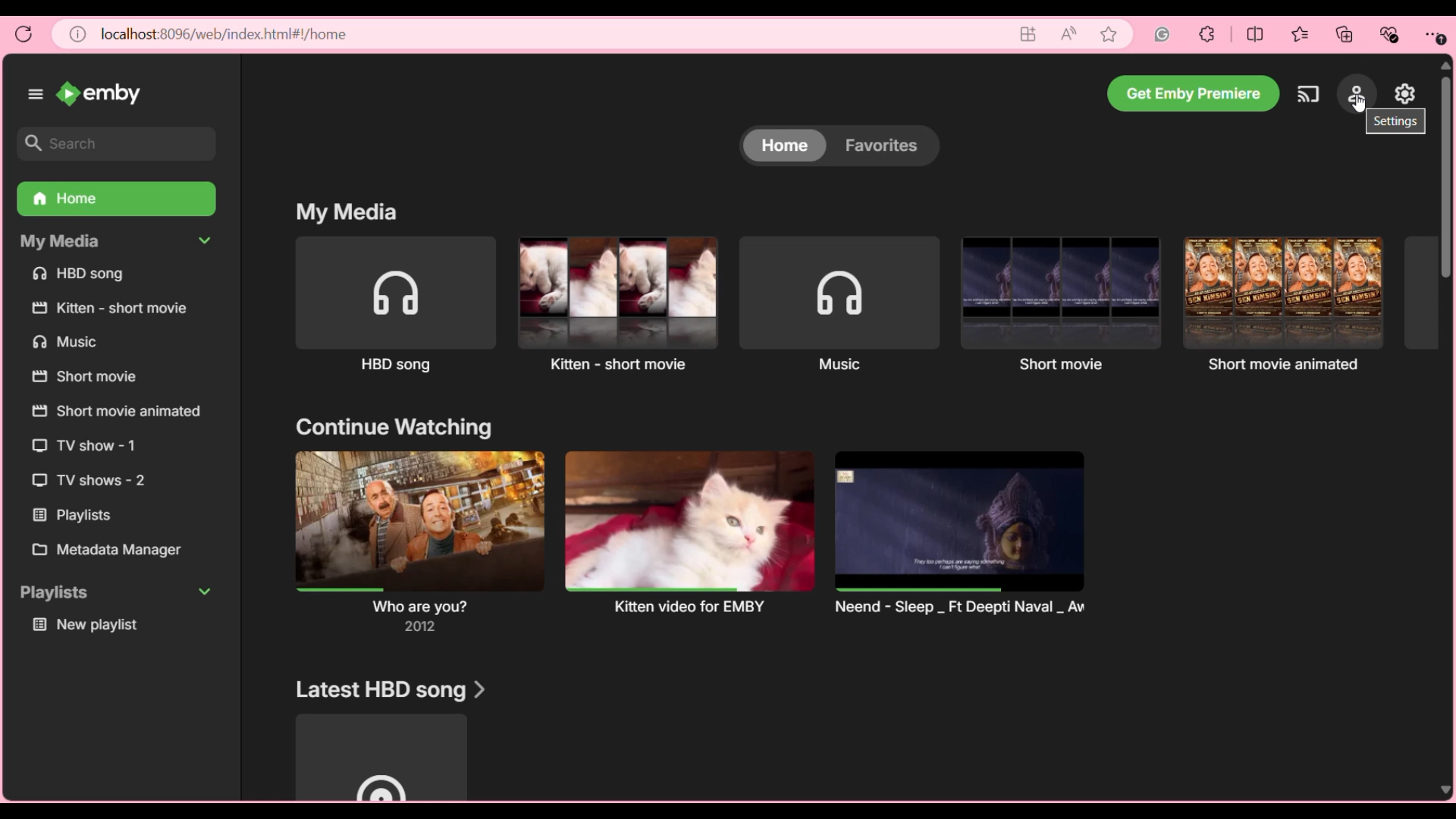  I want to click on continue watching, so click(388, 428).